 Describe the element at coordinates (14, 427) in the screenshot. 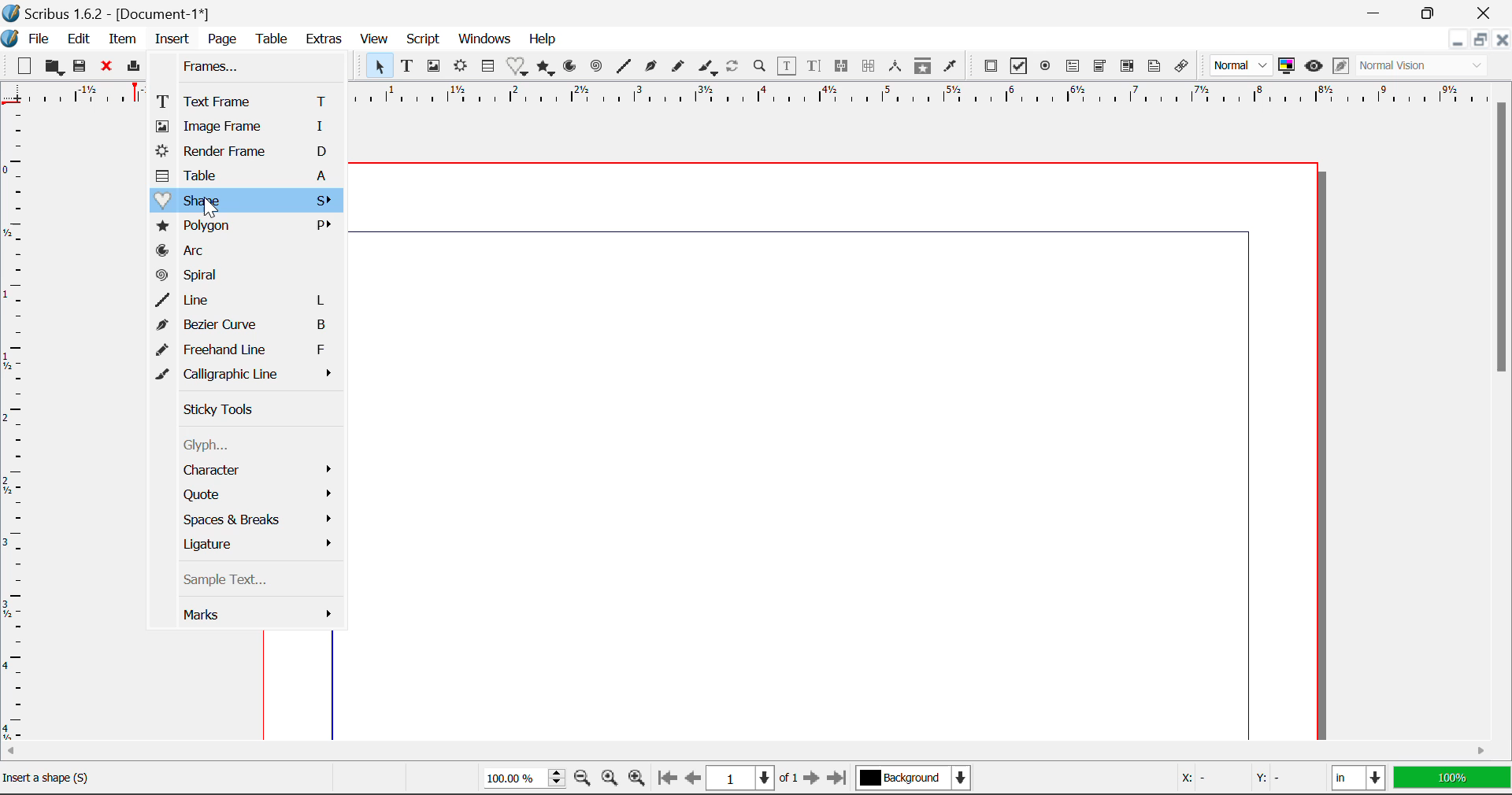

I see `Horizontal Page Margins` at that location.